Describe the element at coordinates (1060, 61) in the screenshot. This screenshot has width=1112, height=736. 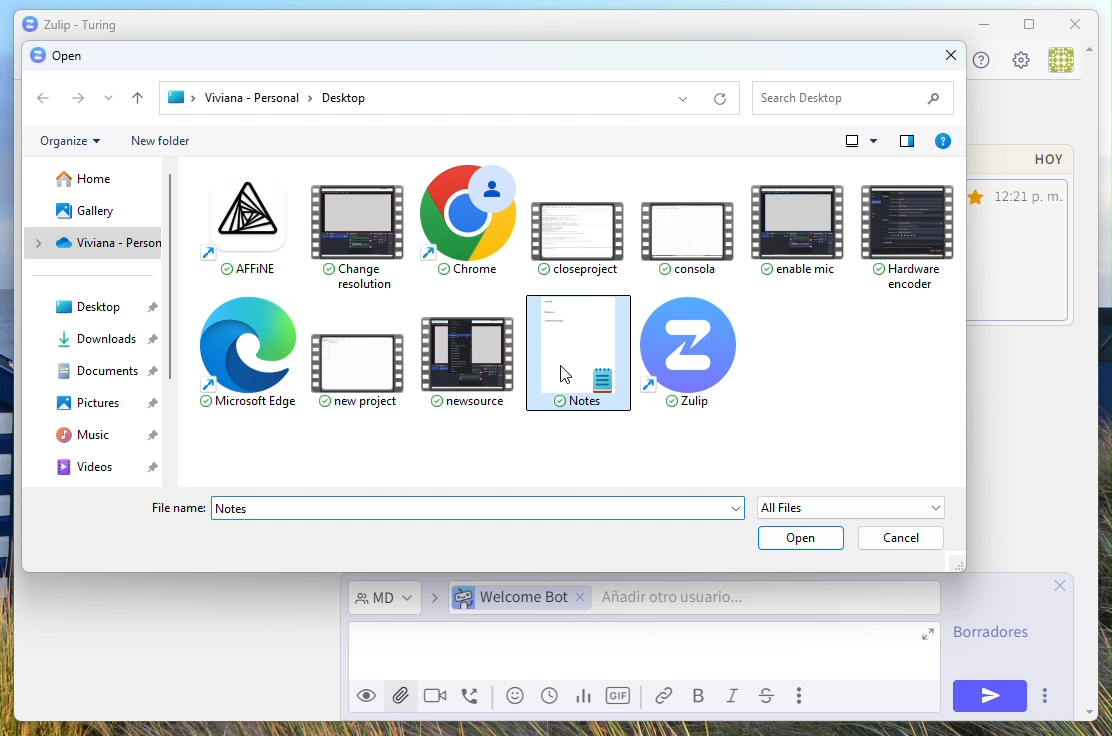
I see `User` at that location.